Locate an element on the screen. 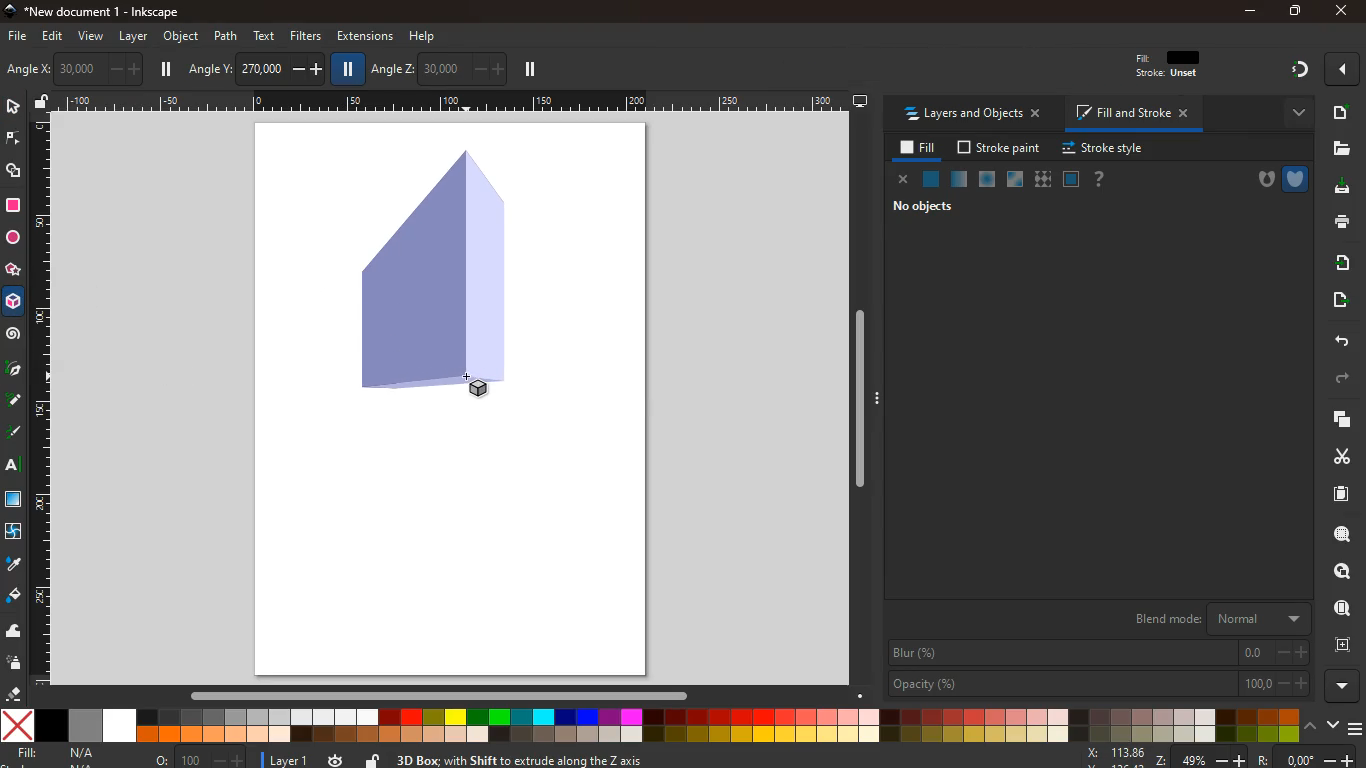 This screenshot has height=768, width=1366. forward is located at coordinates (1348, 379).